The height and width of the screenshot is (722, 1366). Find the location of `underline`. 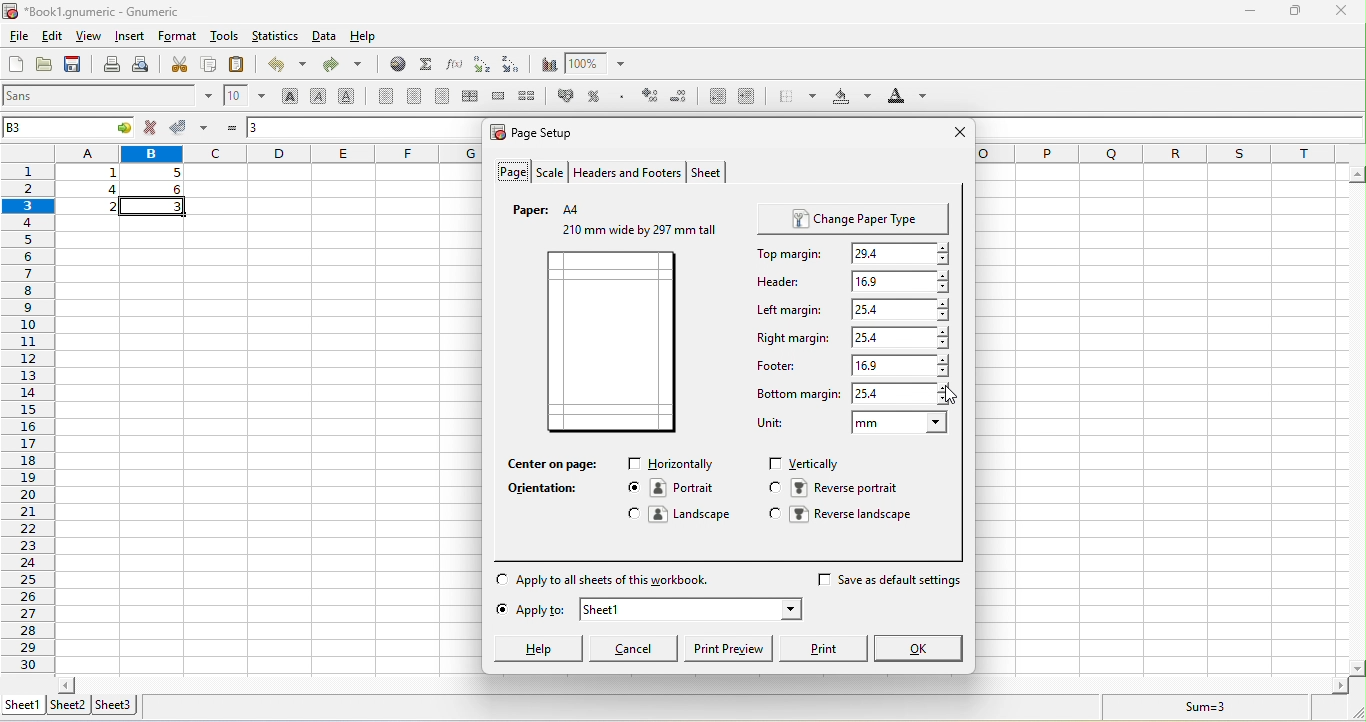

underline is located at coordinates (350, 96).